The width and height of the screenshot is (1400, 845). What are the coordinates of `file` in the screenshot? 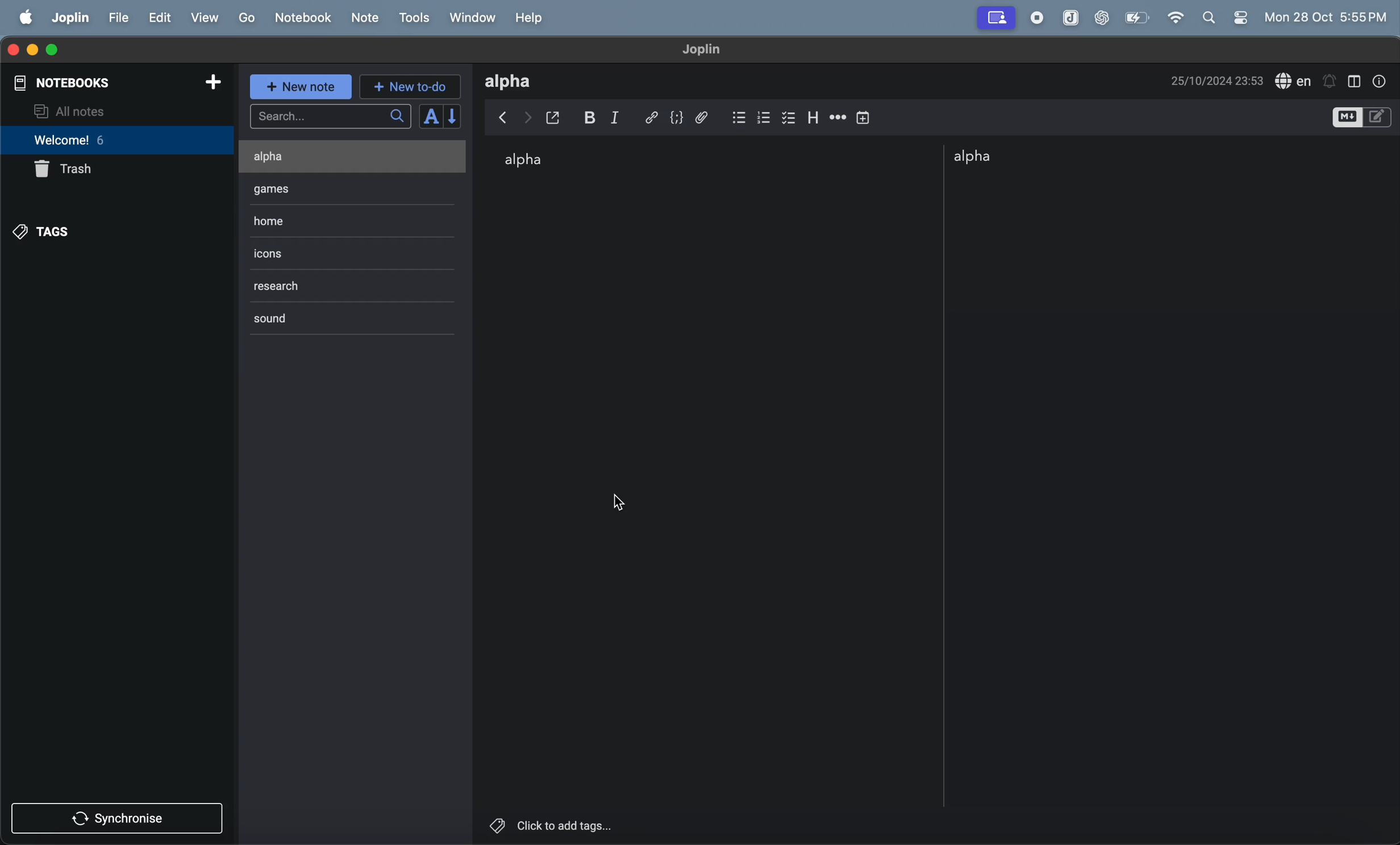 It's located at (119, 19).